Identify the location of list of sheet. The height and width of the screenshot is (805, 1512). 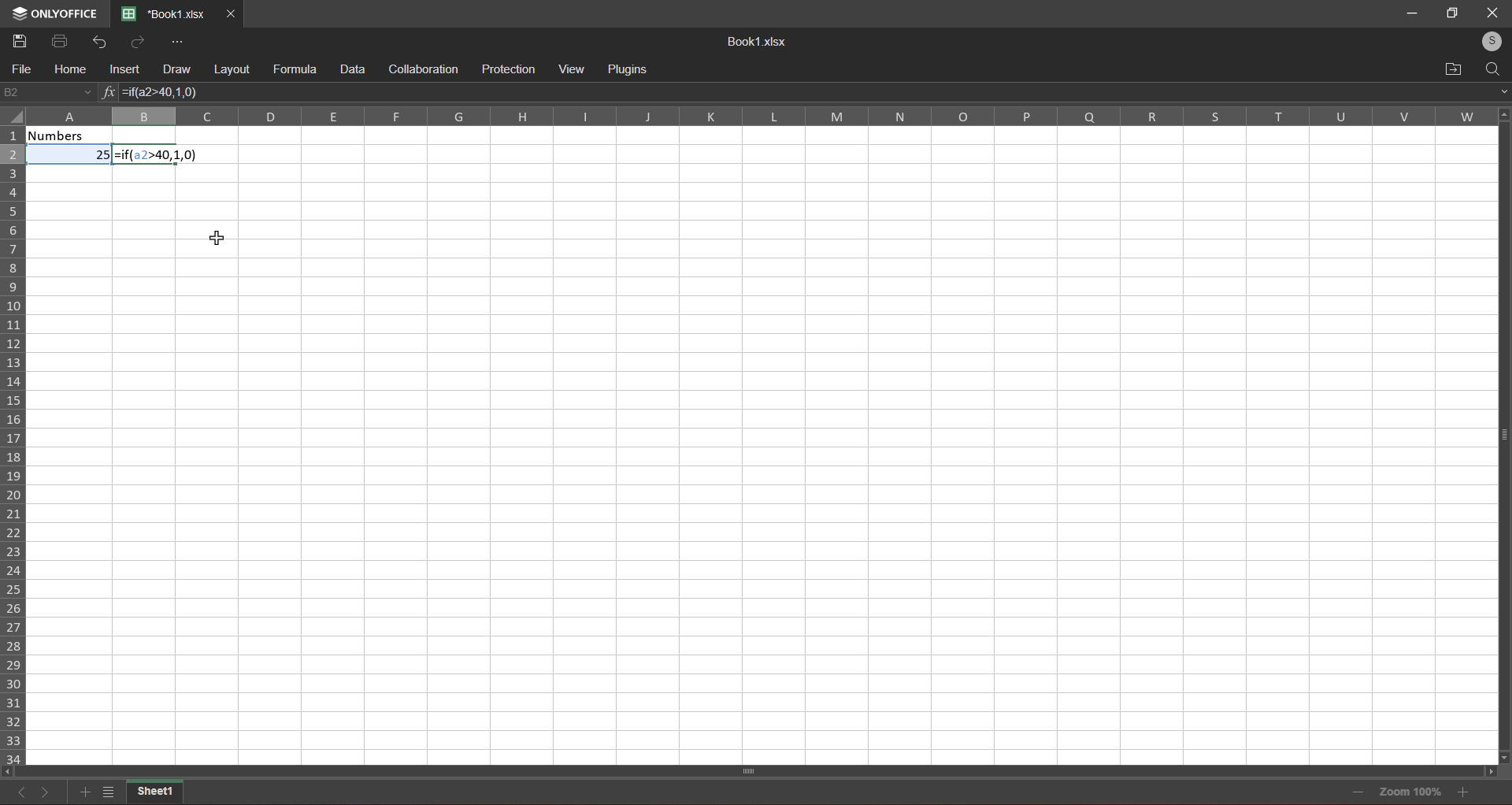
(106, 795).